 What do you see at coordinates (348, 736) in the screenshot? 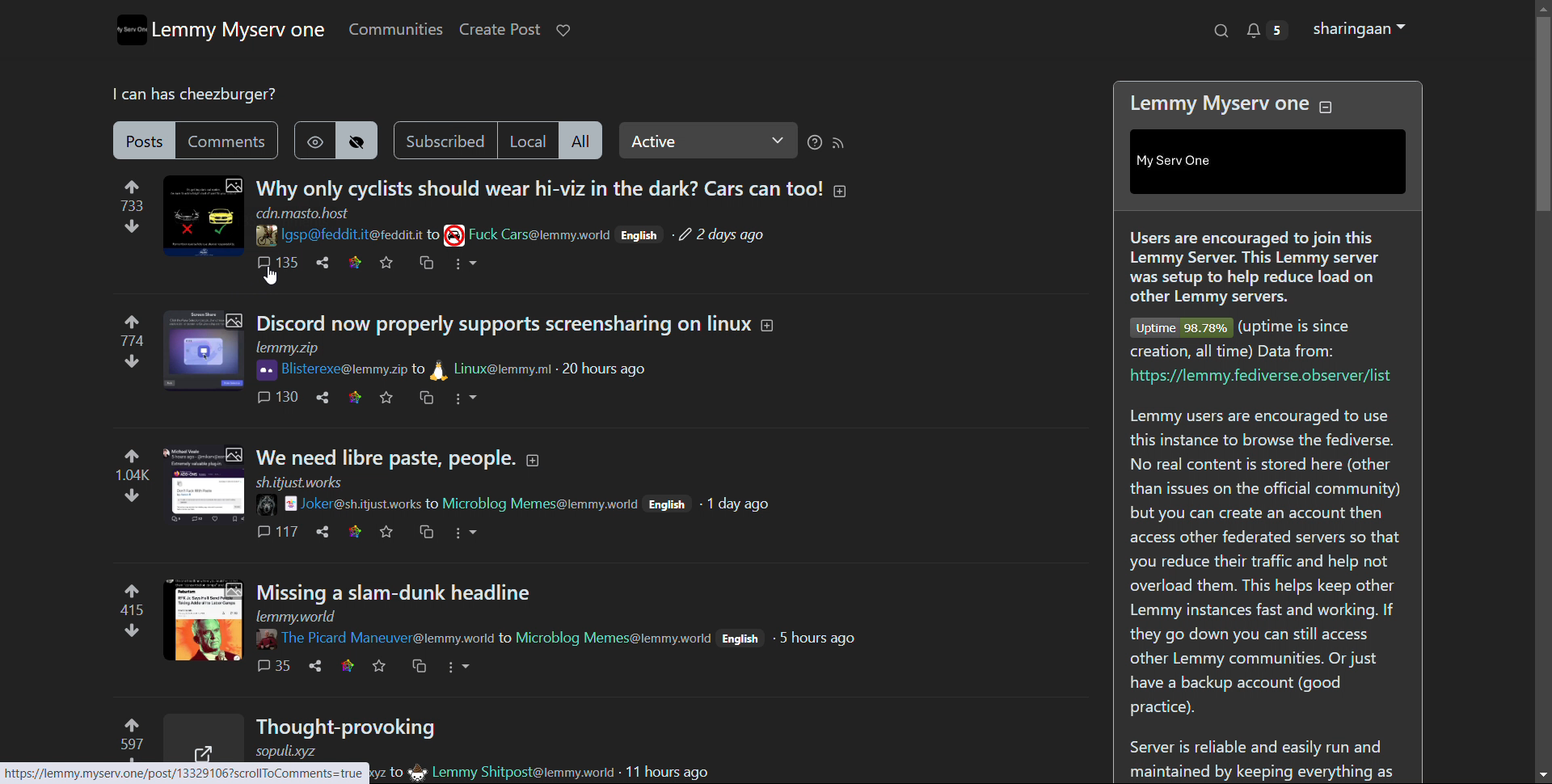
I see `Thought-provoking
crore` at bounding box center [348, 736].